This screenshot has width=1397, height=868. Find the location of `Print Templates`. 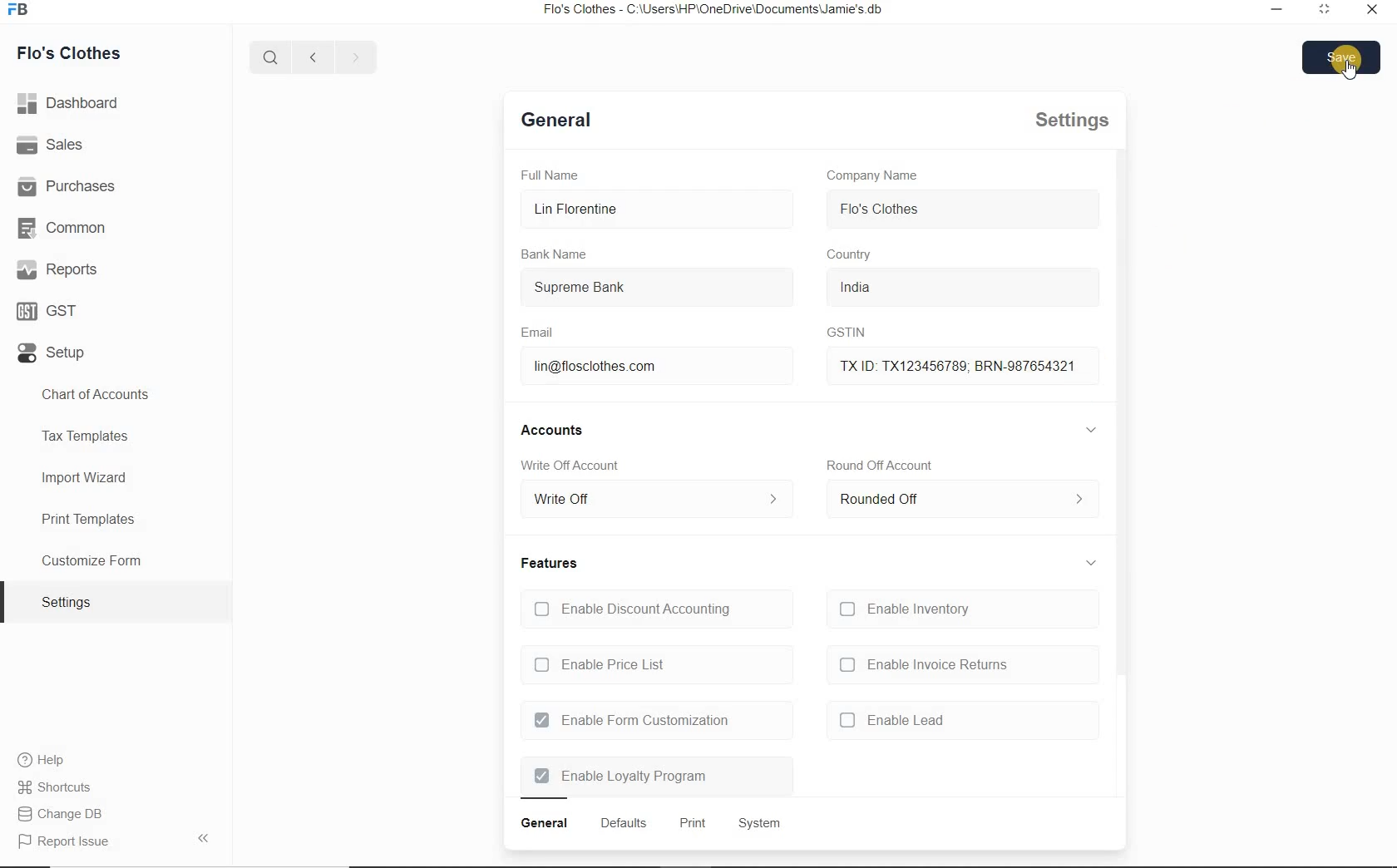

Print Templates is located at coordinates (86, 518).